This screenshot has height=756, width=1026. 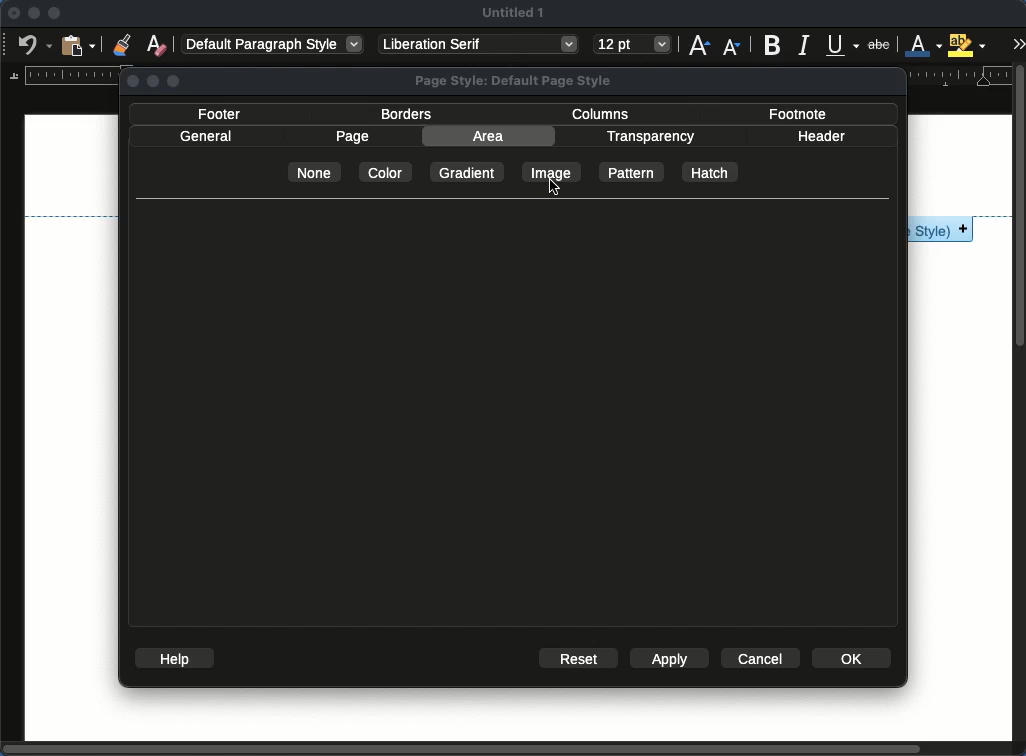 I want to click on margin, so click(x=63, y=75).